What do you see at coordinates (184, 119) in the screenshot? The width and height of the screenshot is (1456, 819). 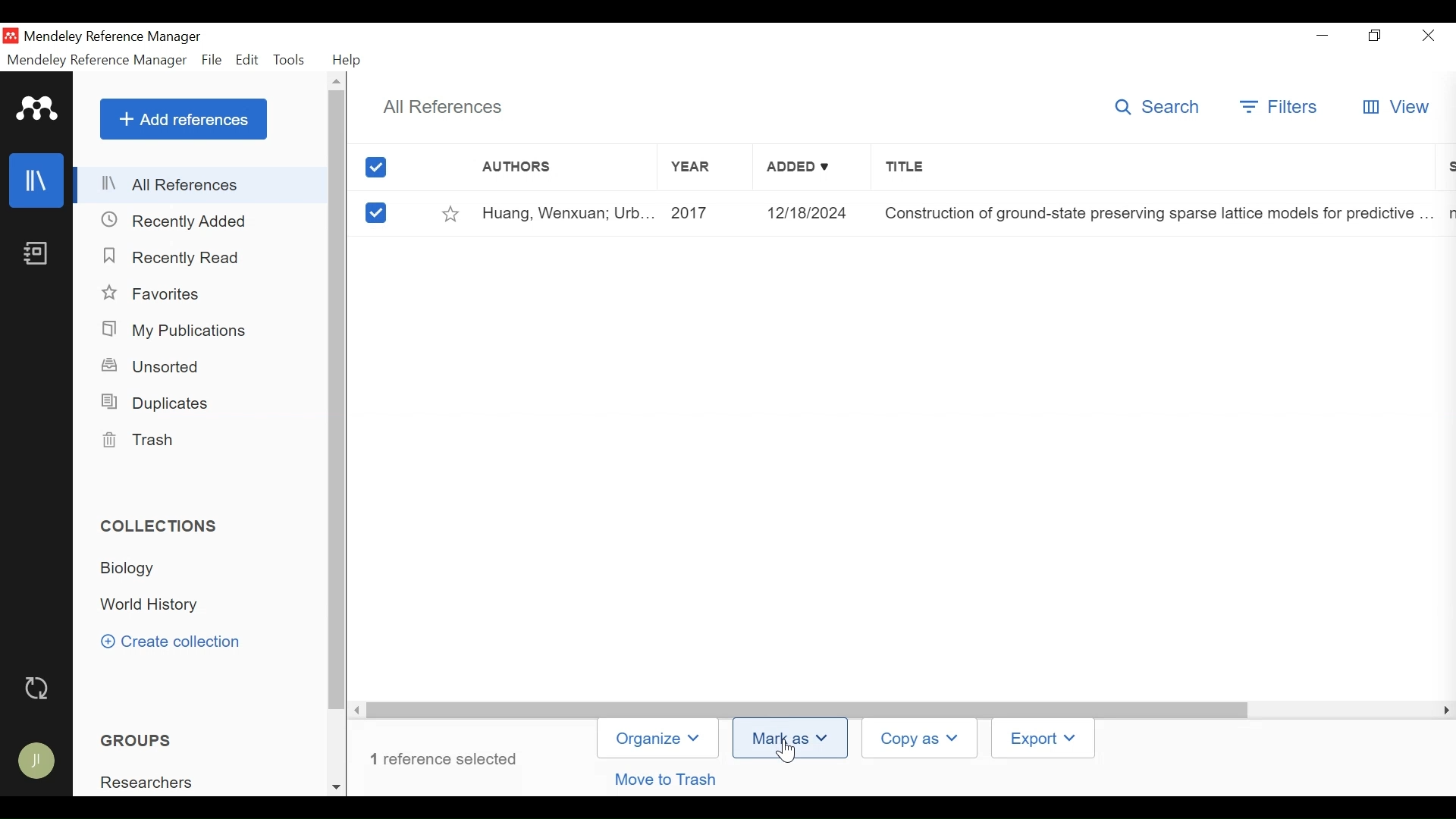 I see `Add References` at bounding box center [184, 119].